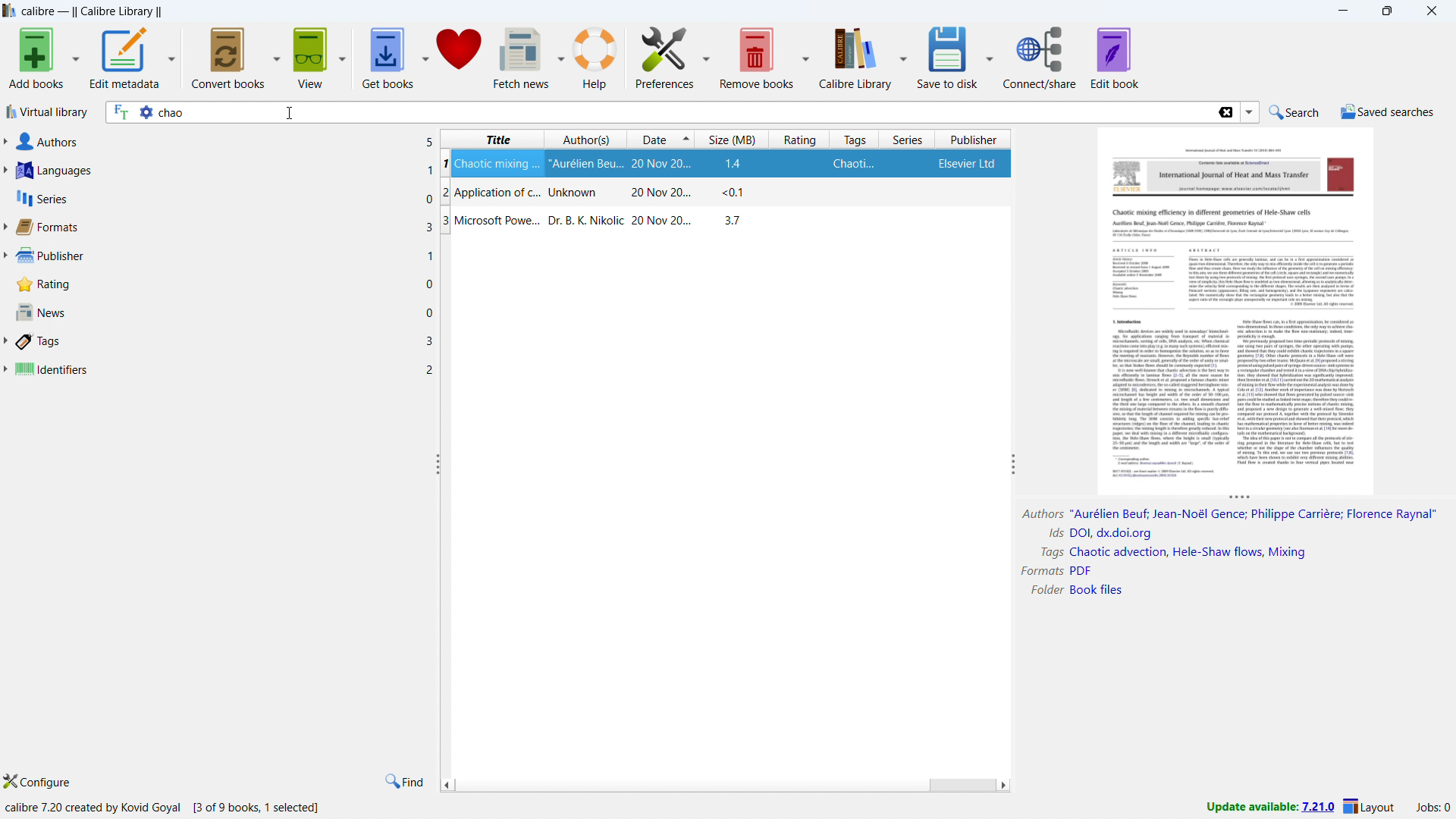 This screenshot has height=819, width=1456. I want to click on authors, so click(224, 142).